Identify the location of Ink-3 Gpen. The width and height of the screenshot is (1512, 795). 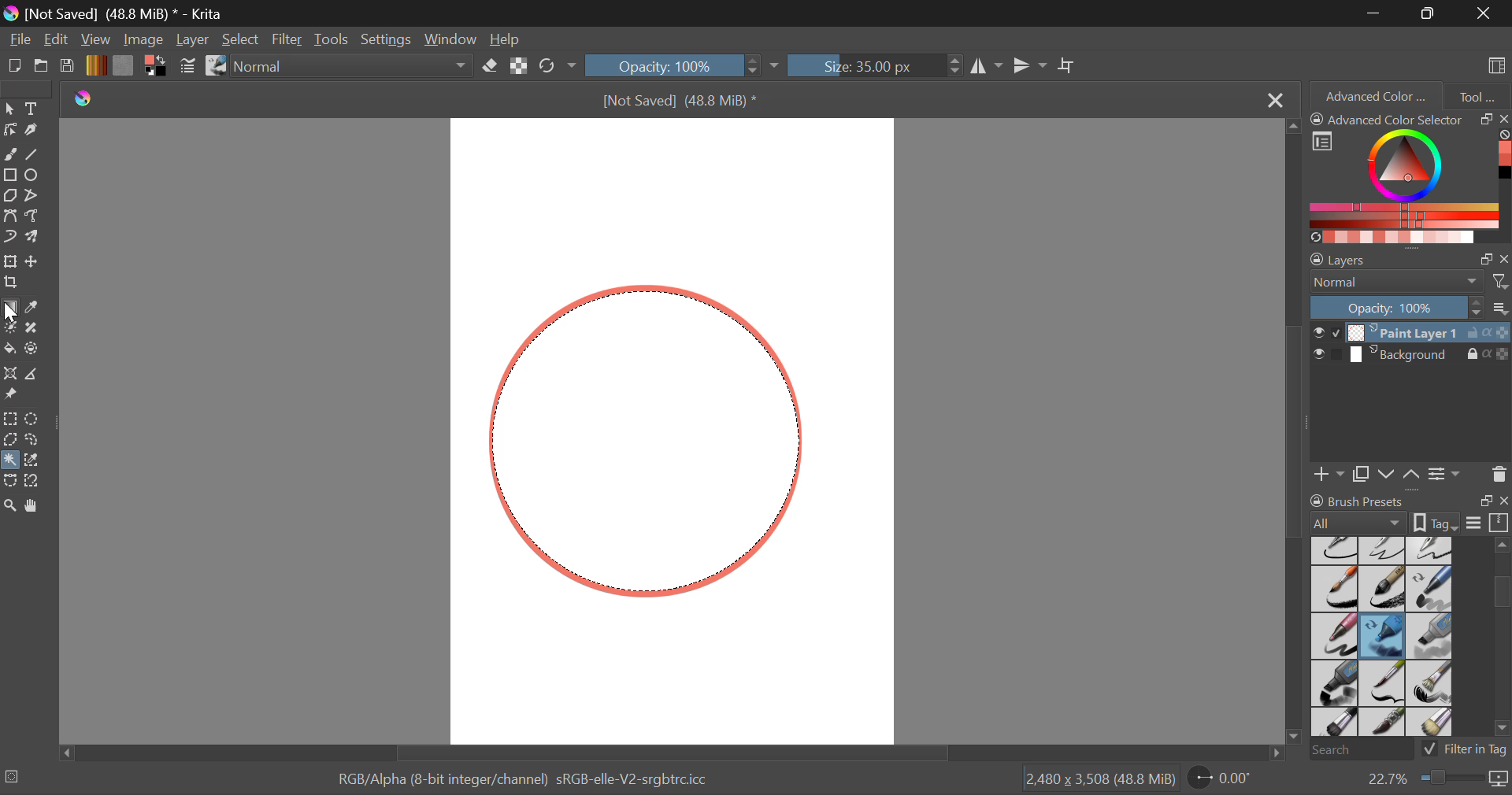
(1384, 550).